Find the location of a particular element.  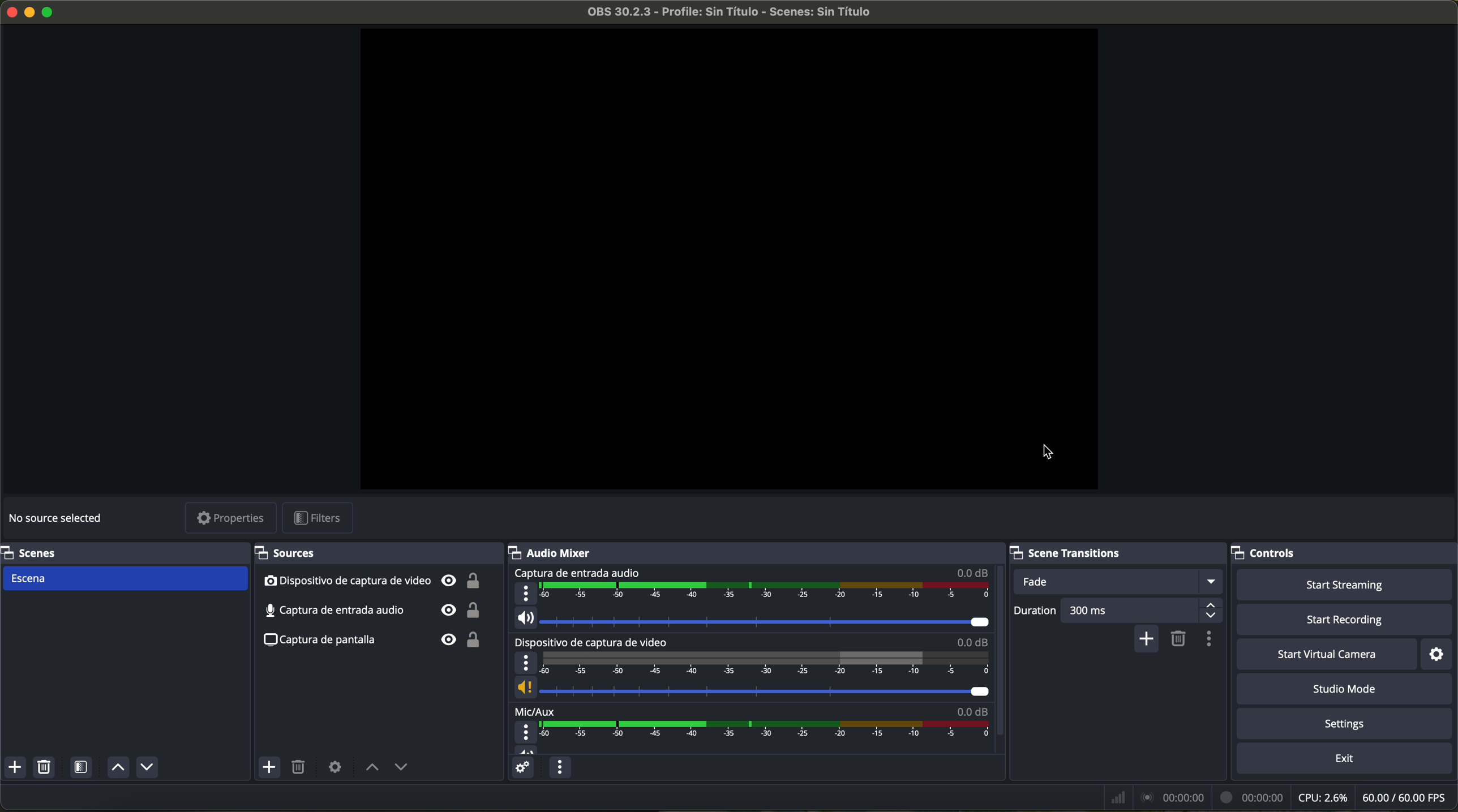

advanced audio properties is located at coordinates (522, 770).